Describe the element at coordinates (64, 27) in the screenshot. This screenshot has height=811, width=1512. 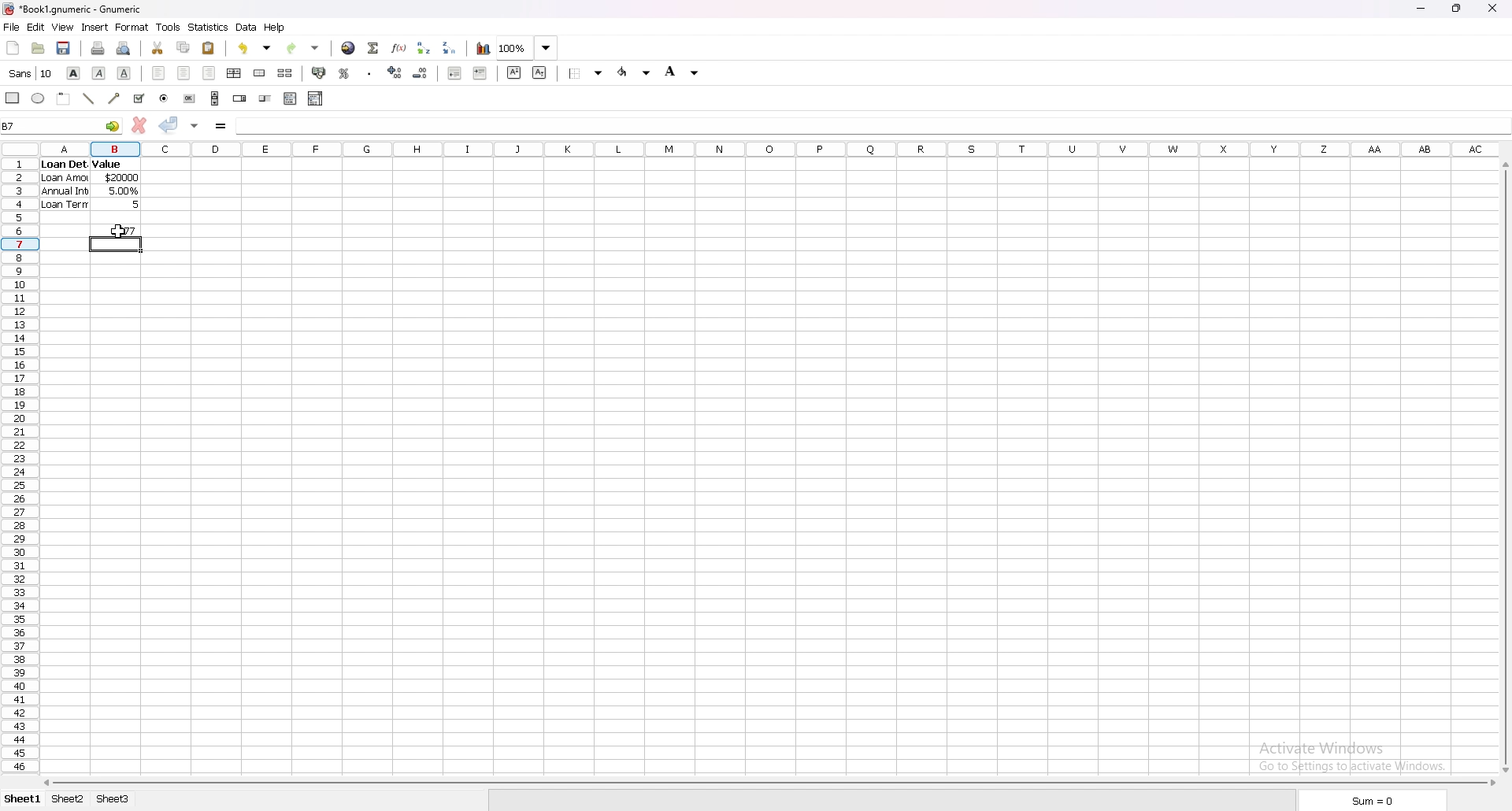
I see `view` at that location.